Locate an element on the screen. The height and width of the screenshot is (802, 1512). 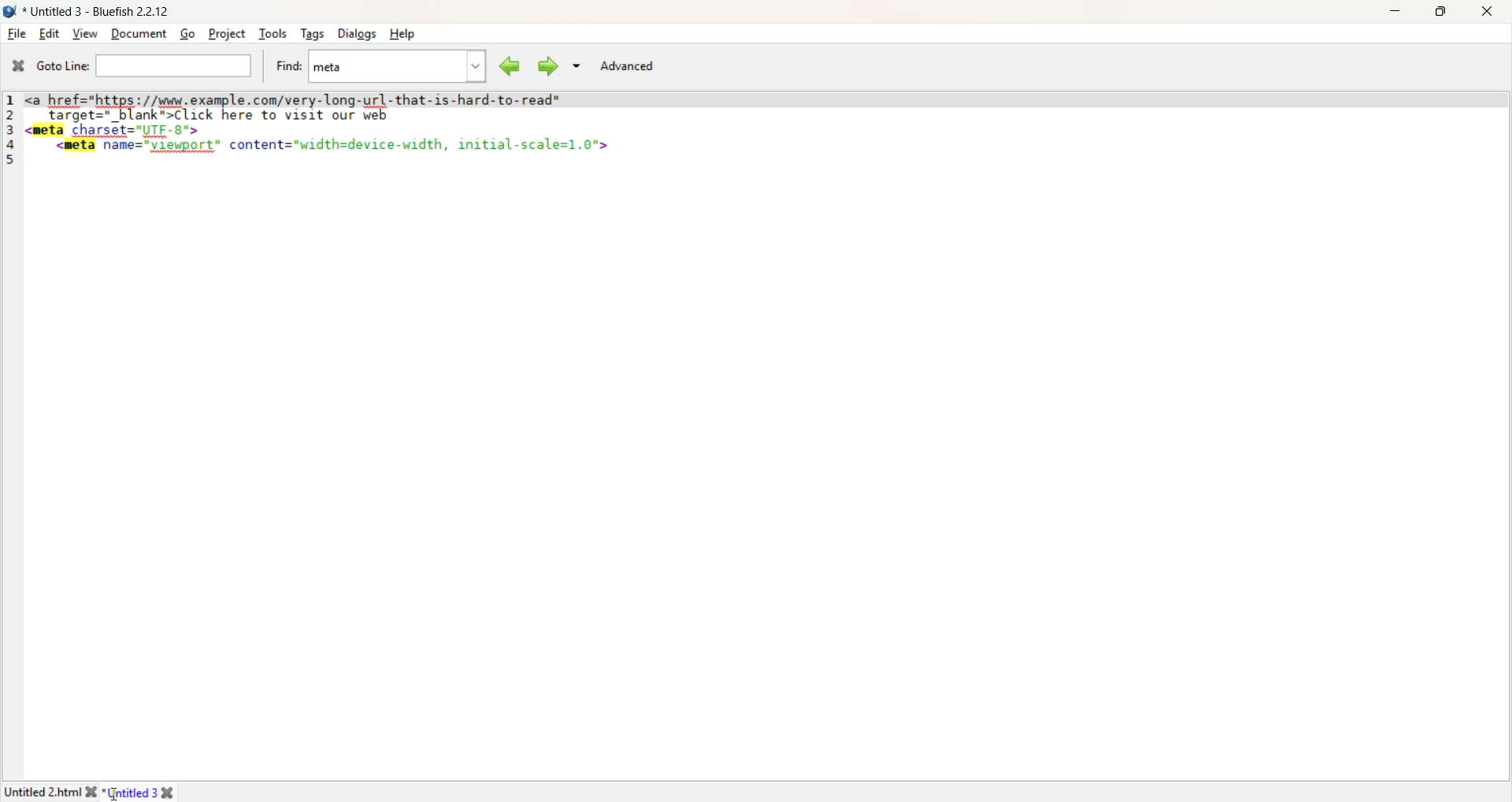
Tools is located at coordinates (272, 34).